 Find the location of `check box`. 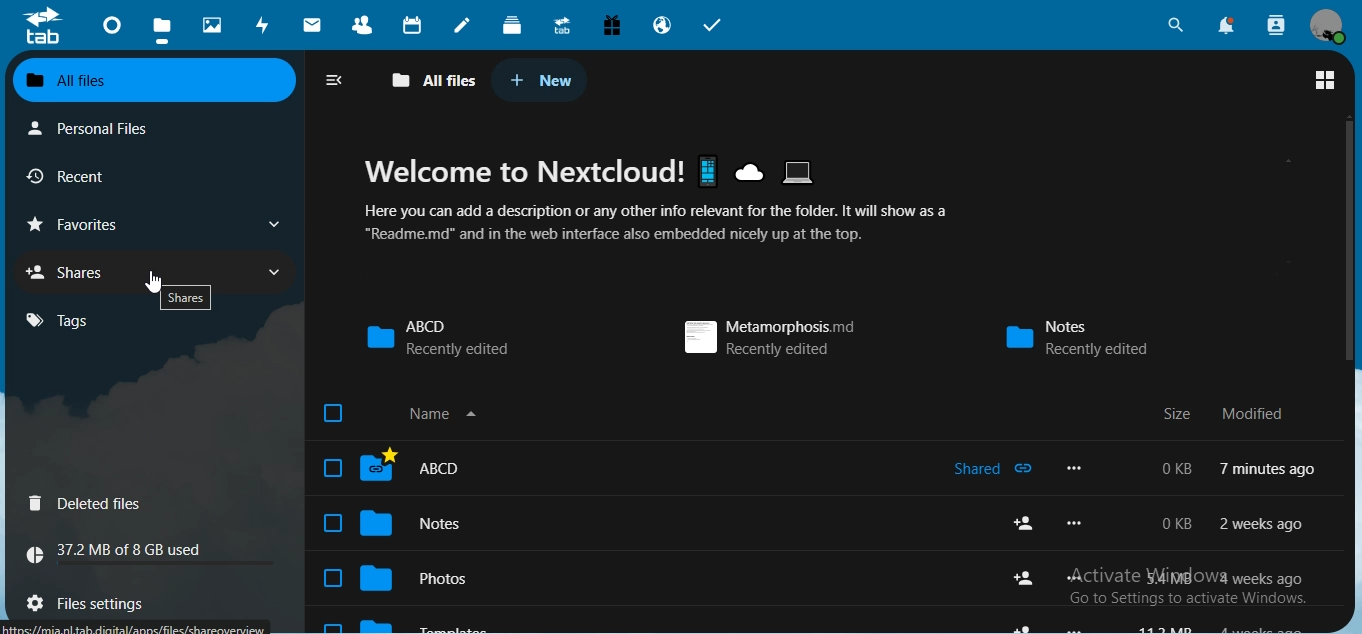

check box is located at coordinates (335, 522).